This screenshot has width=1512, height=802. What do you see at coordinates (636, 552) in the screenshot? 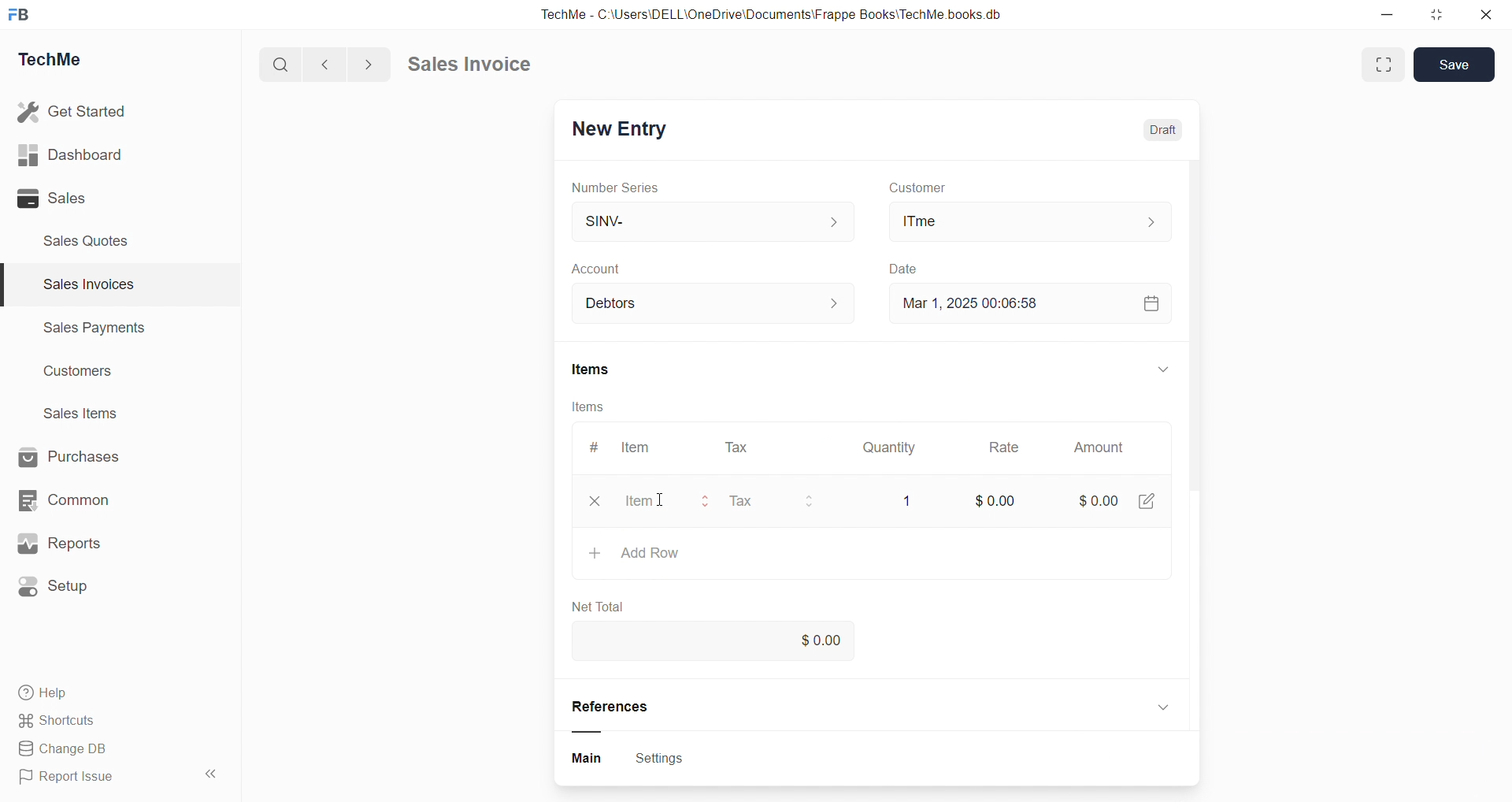
I see `+ Add Row` at bounding box center [636, 552].